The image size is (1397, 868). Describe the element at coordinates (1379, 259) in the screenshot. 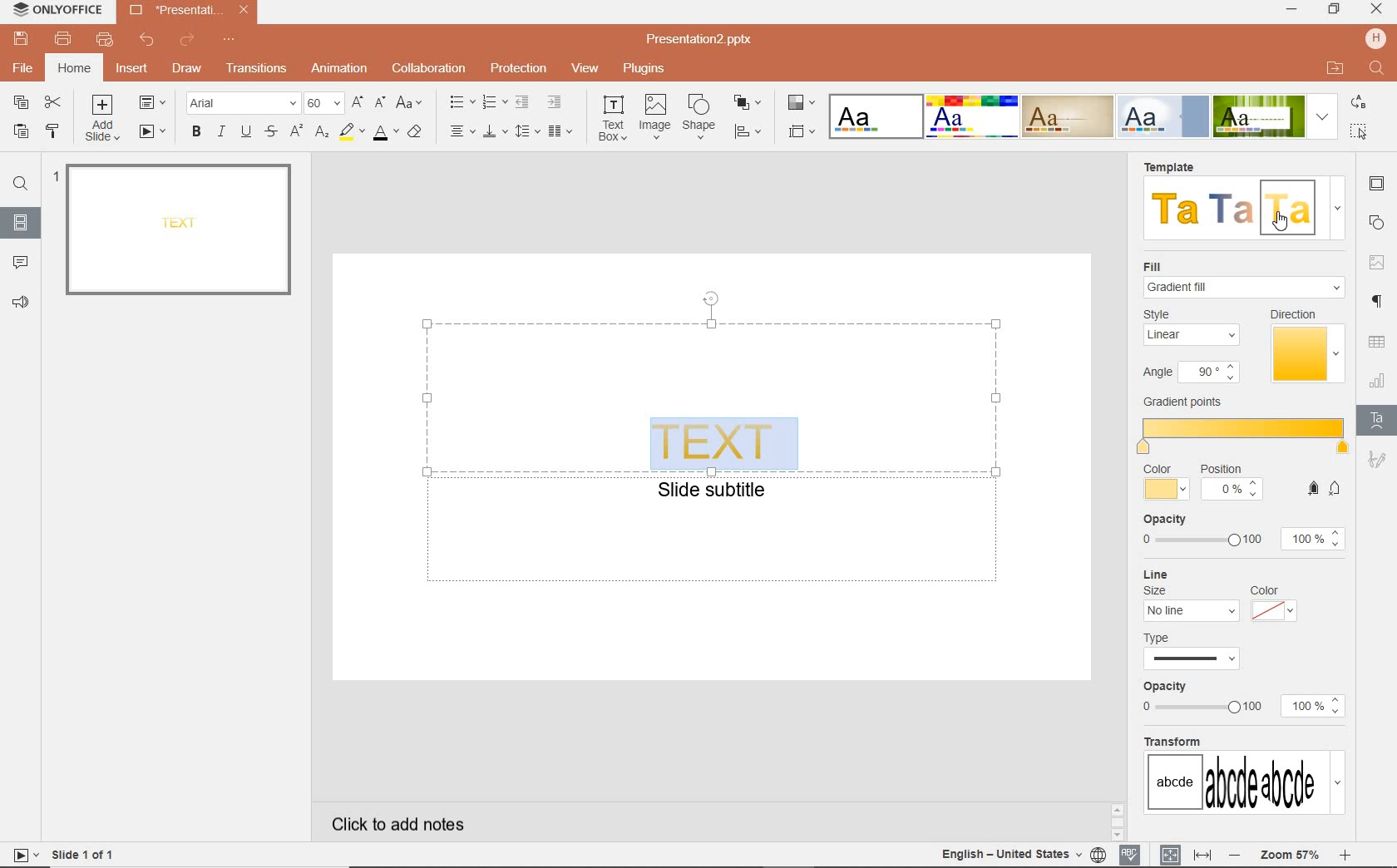

I see `IMAGE SETTINGS` at that location.